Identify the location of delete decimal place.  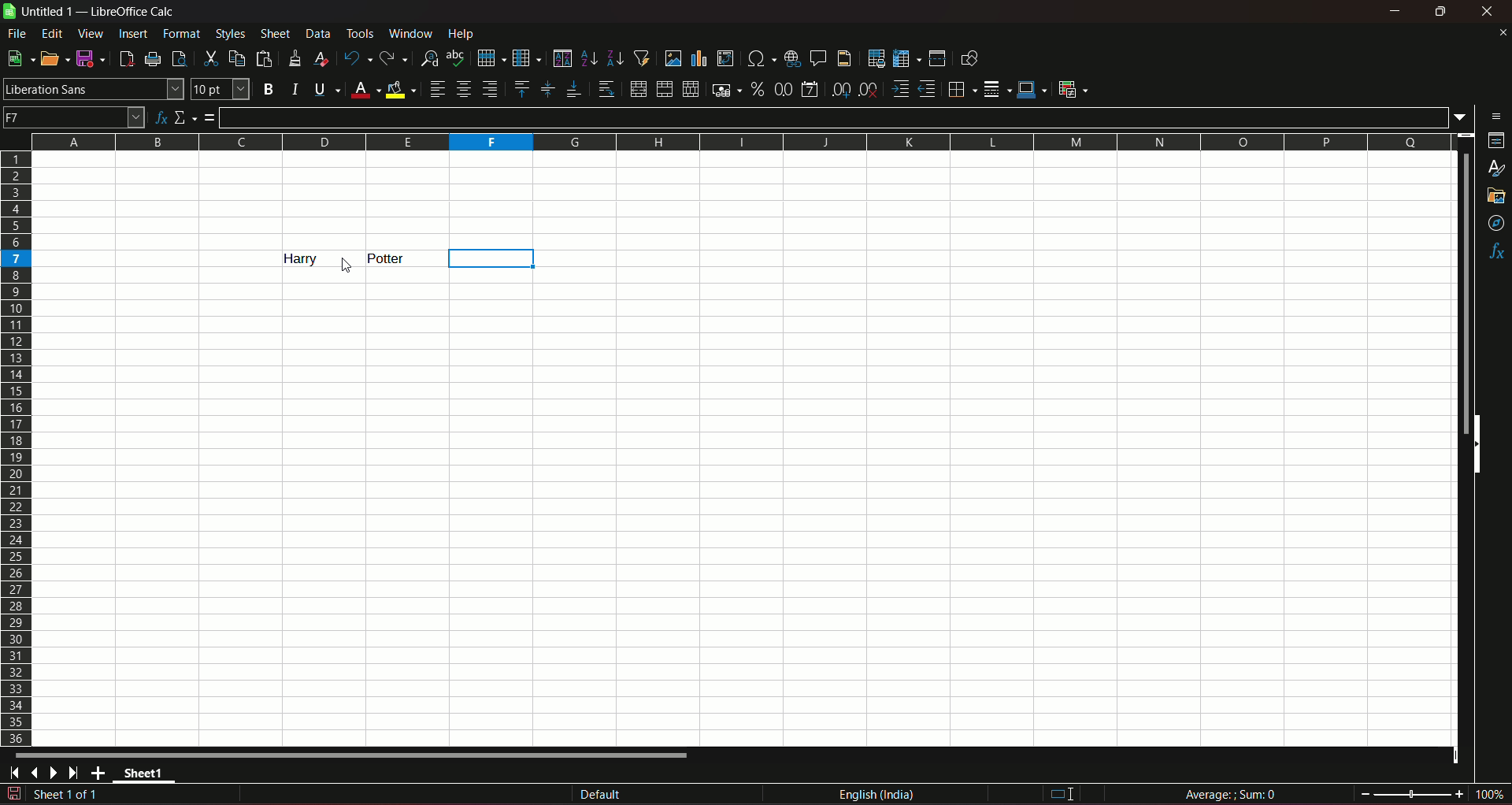
(868, 91).